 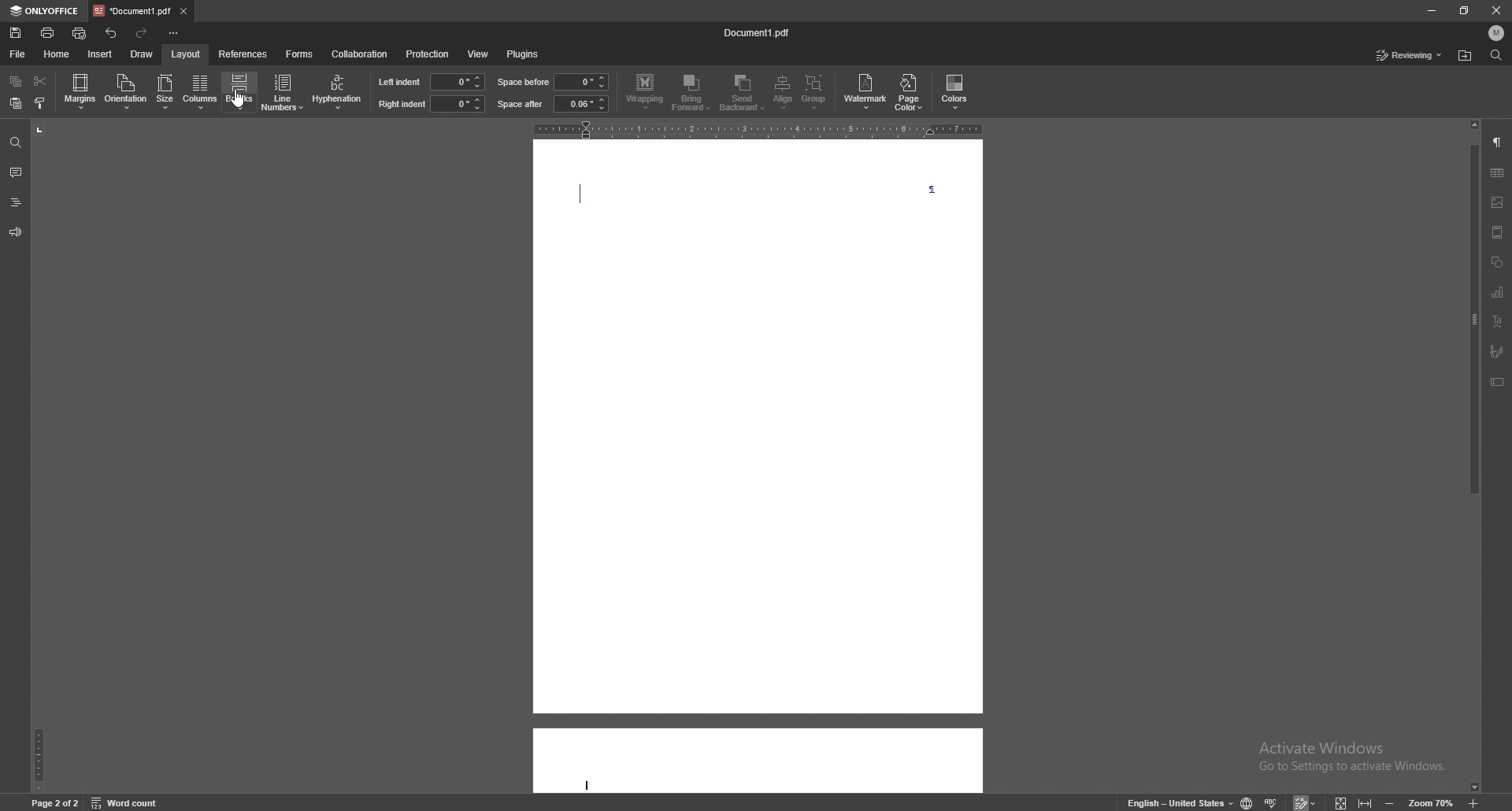 What do you see at coordinates (18, 55) in the screenshot?
I see `file` at bounding box center [18, 55].